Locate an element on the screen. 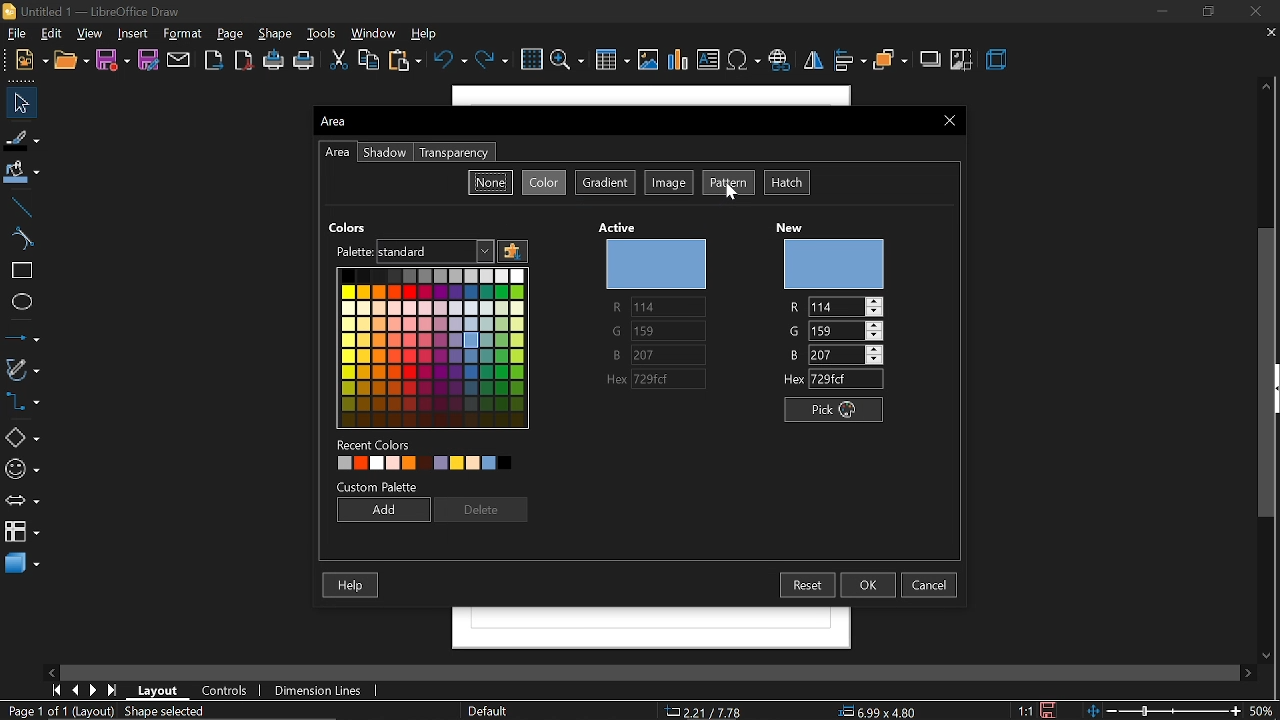  insert image is located at coordinates (650, 60).